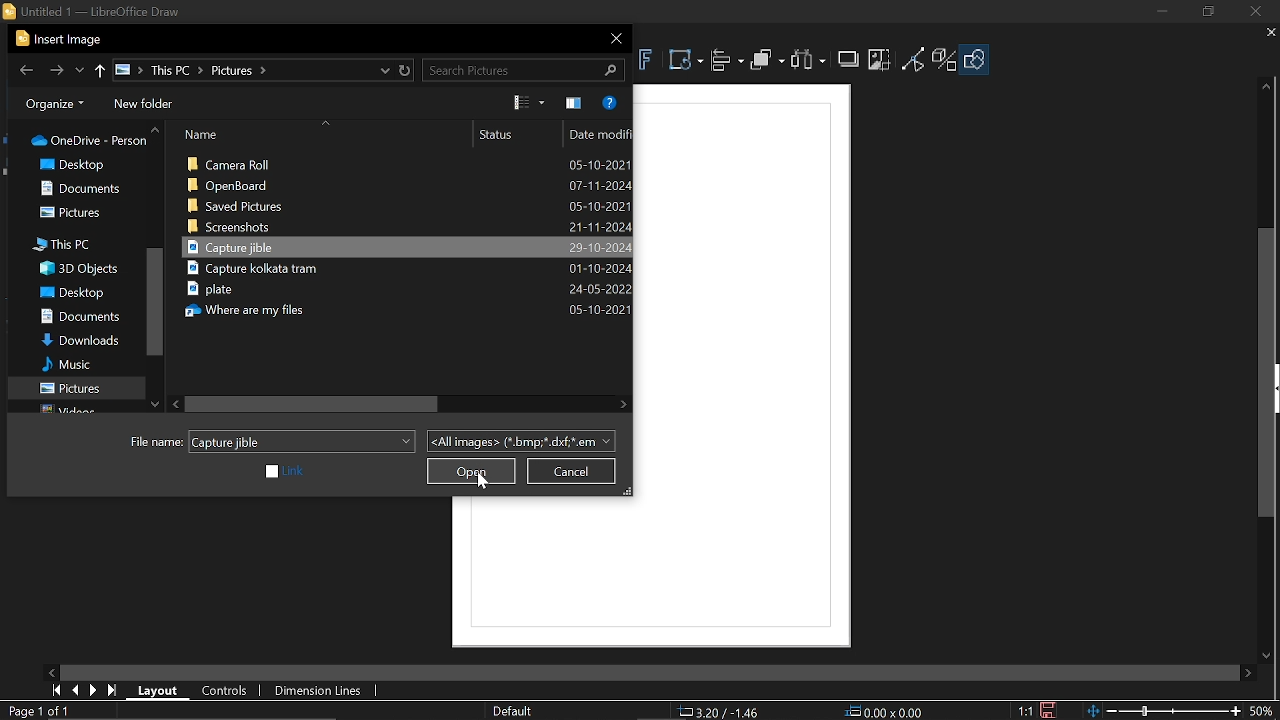  What do you see at coordinates (882, 60) in the screenshot?
I see `Crop ` at bounding box center [882, 60].